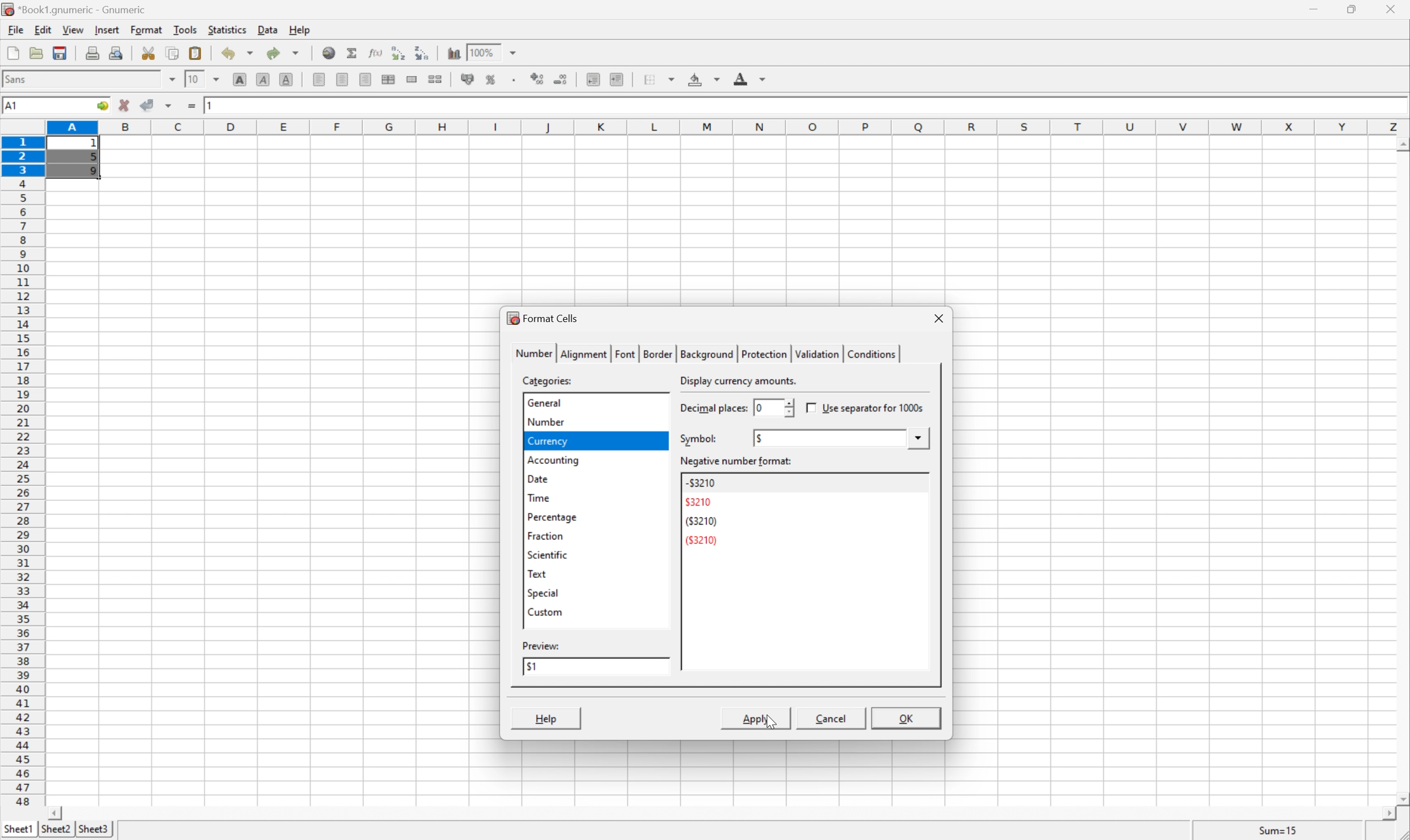 The width and height of the screenshot is (1410, 840). Describe the element at coordinates (779, 381) in the screenshot. I see `select an appropriate format automatically.` at that location.